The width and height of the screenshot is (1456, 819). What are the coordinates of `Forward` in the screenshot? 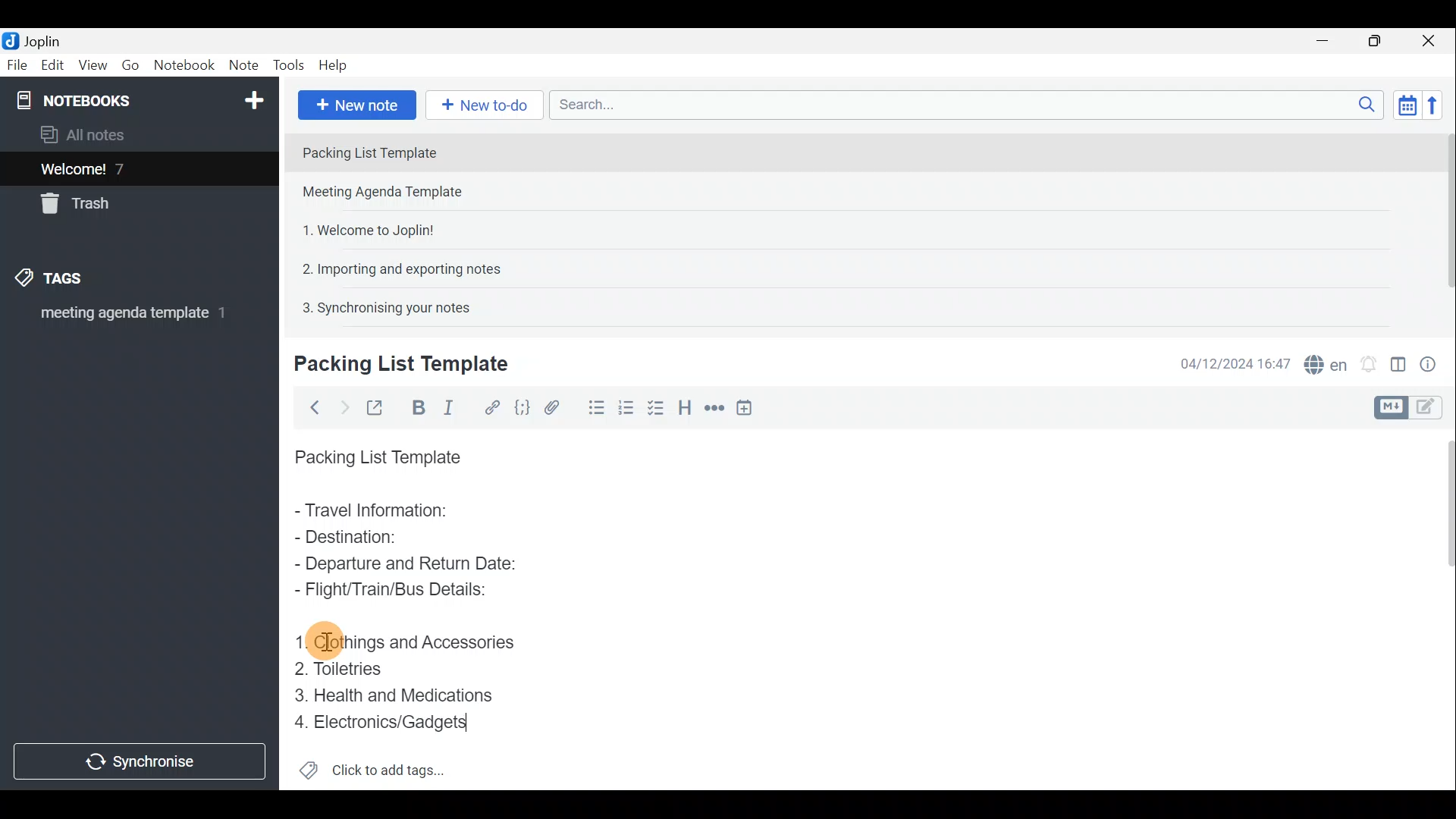 It's located at (341, 406).